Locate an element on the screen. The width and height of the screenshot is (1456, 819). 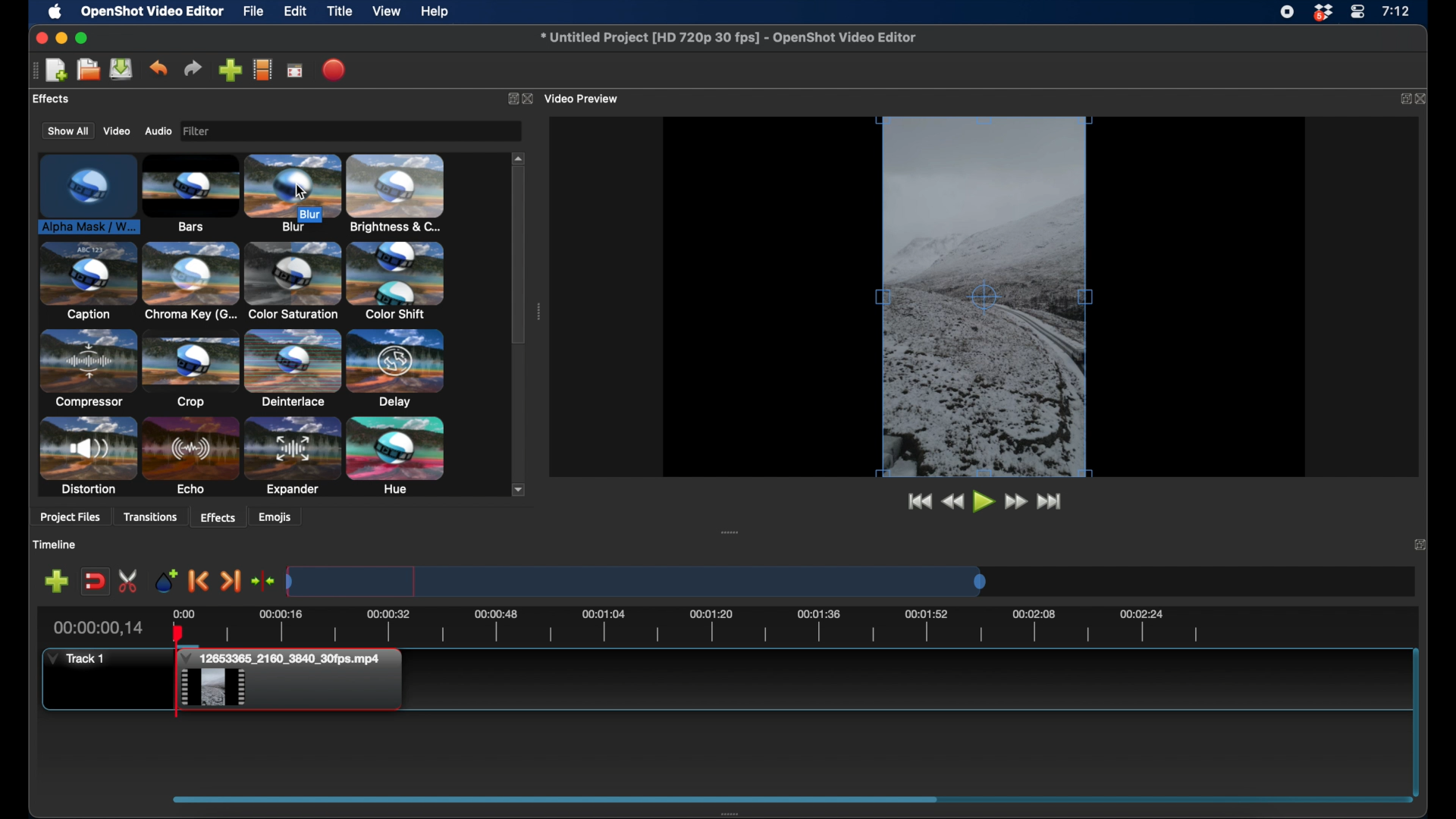
close is located at coordinates (1425, 99).